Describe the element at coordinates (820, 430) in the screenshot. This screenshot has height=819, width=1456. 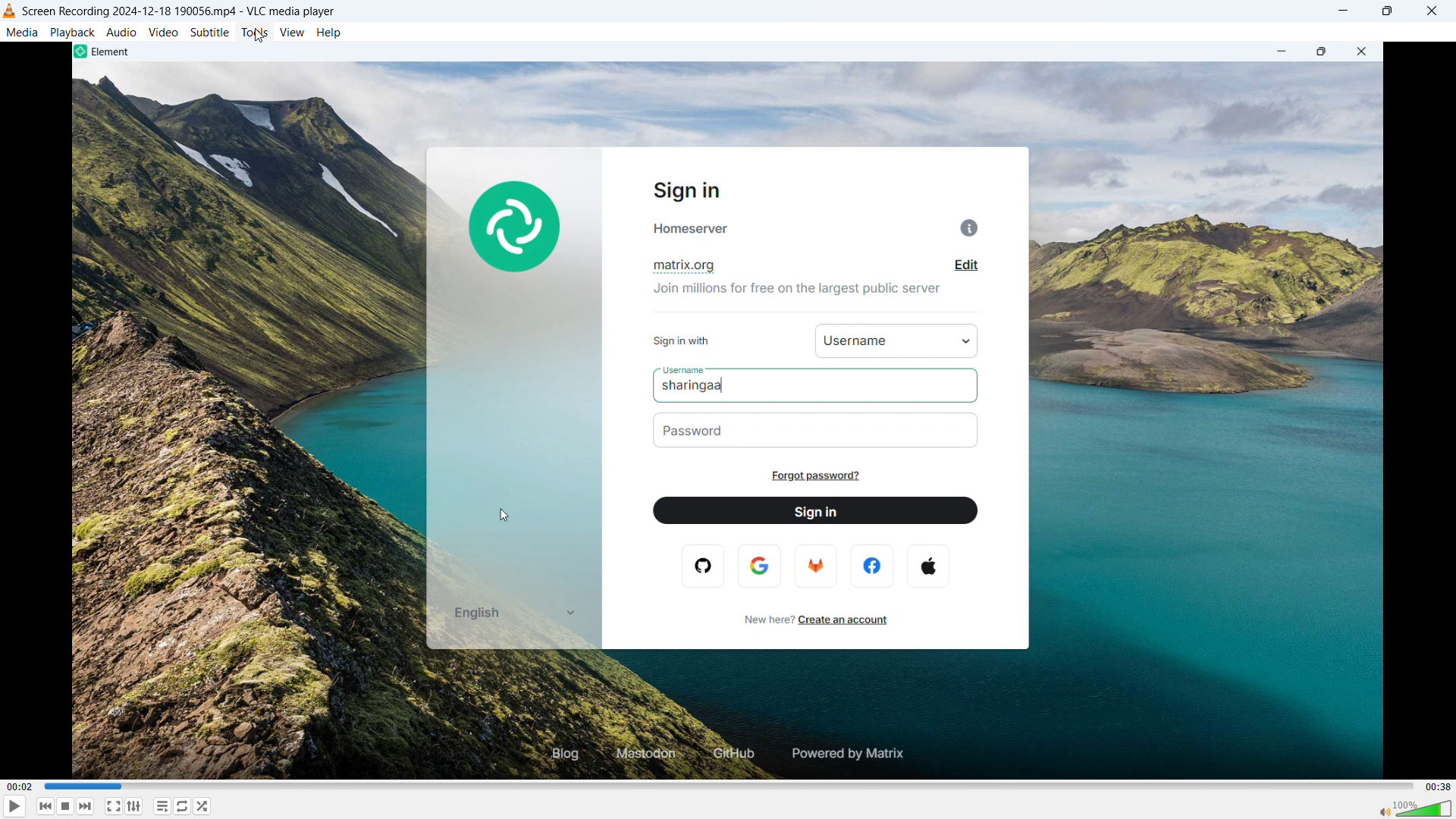
I see `password` at that location.